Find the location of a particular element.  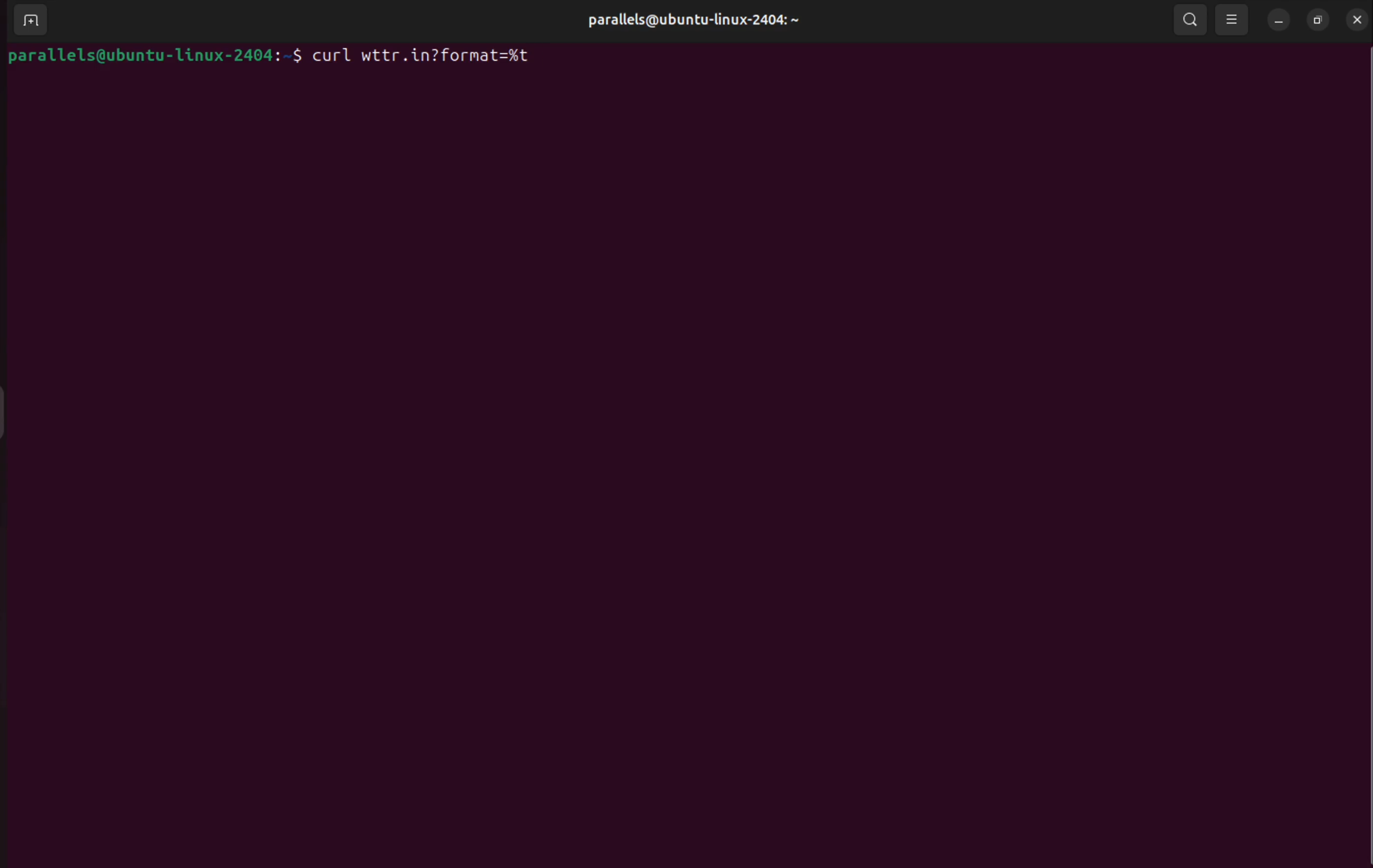

cursor is located at coordinates (593, 462).